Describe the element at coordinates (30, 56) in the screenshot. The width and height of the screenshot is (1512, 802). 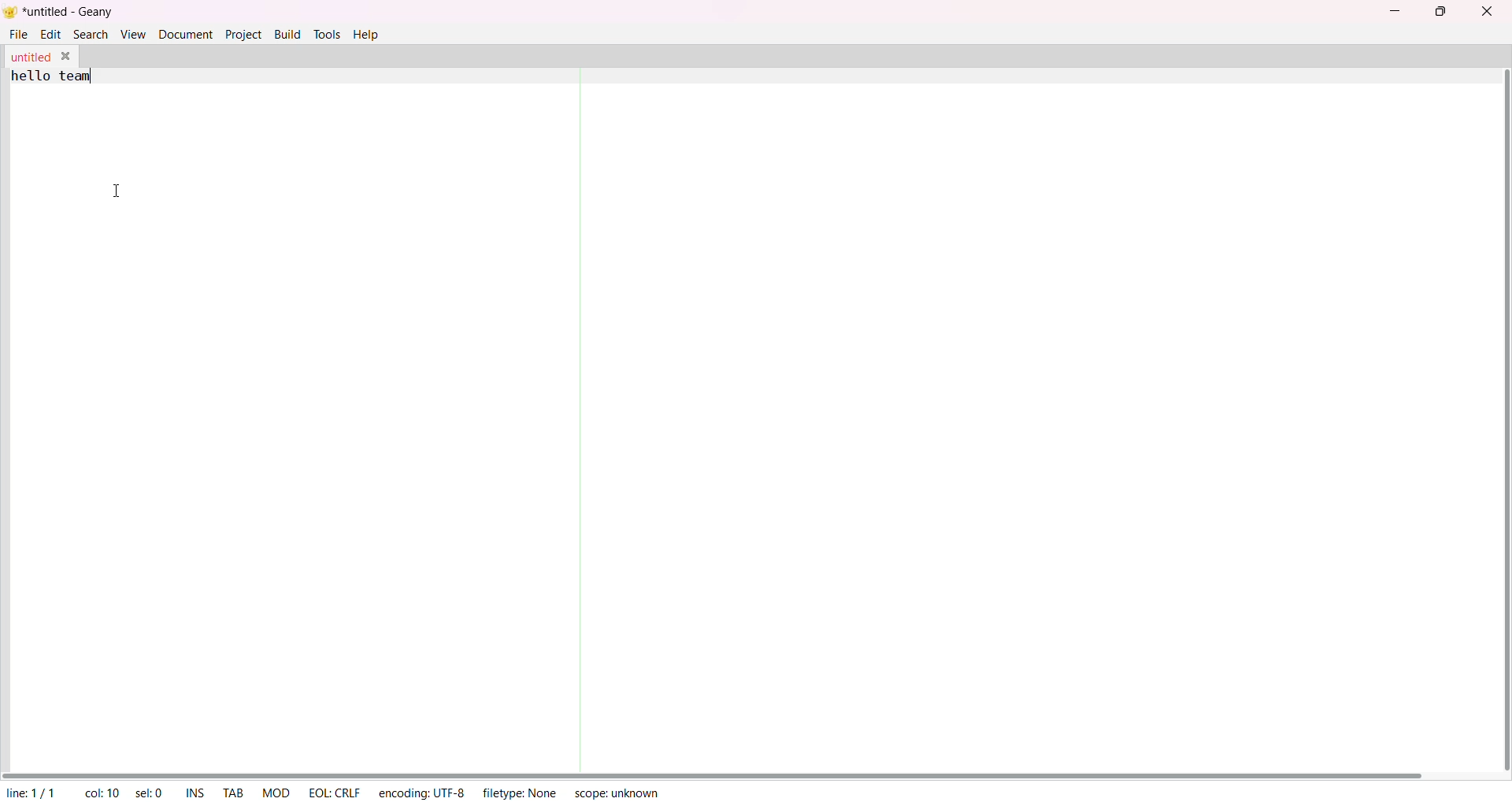
I see `untitled` at that location.